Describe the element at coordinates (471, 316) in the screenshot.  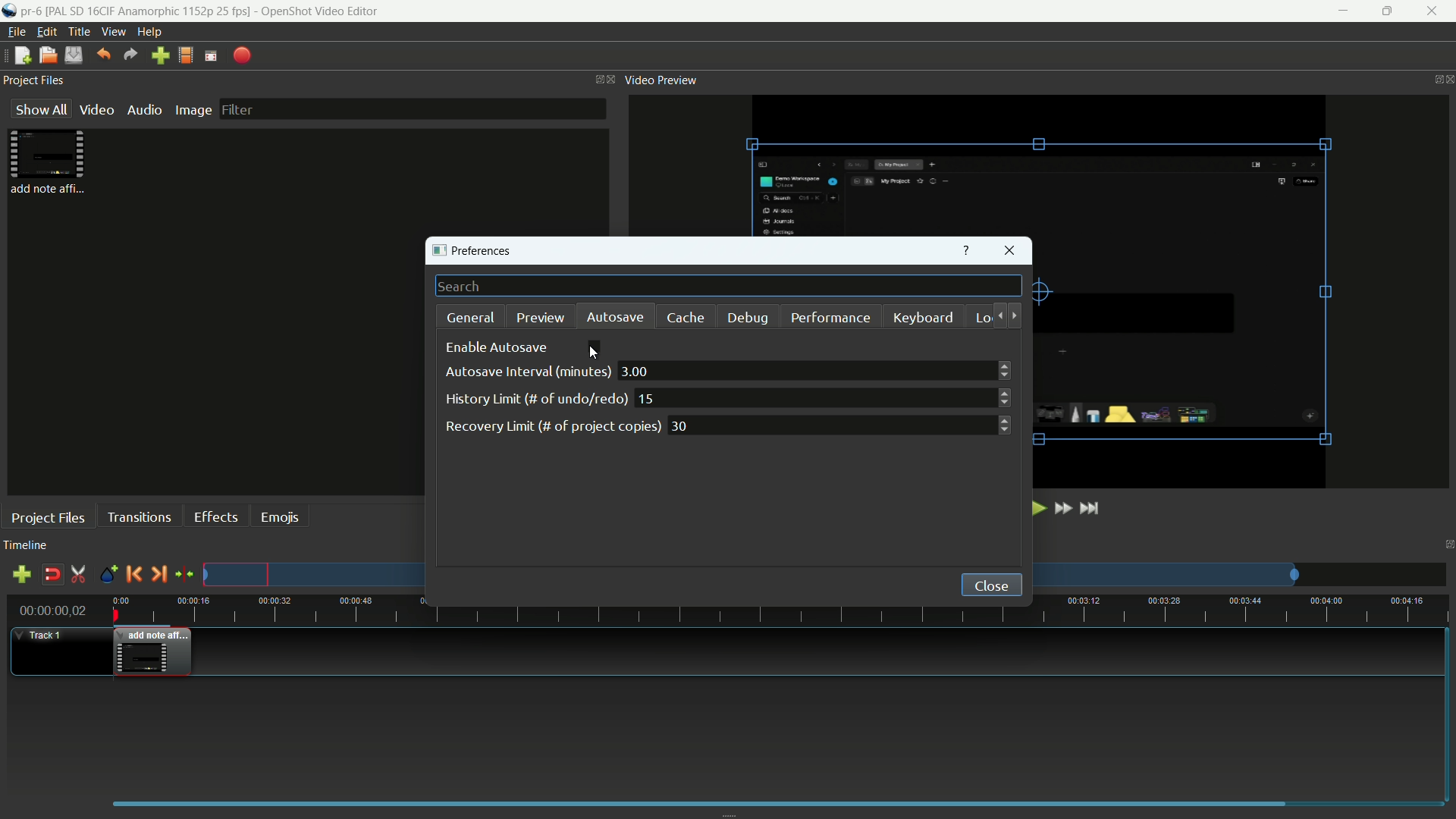
I see `general` at that location.